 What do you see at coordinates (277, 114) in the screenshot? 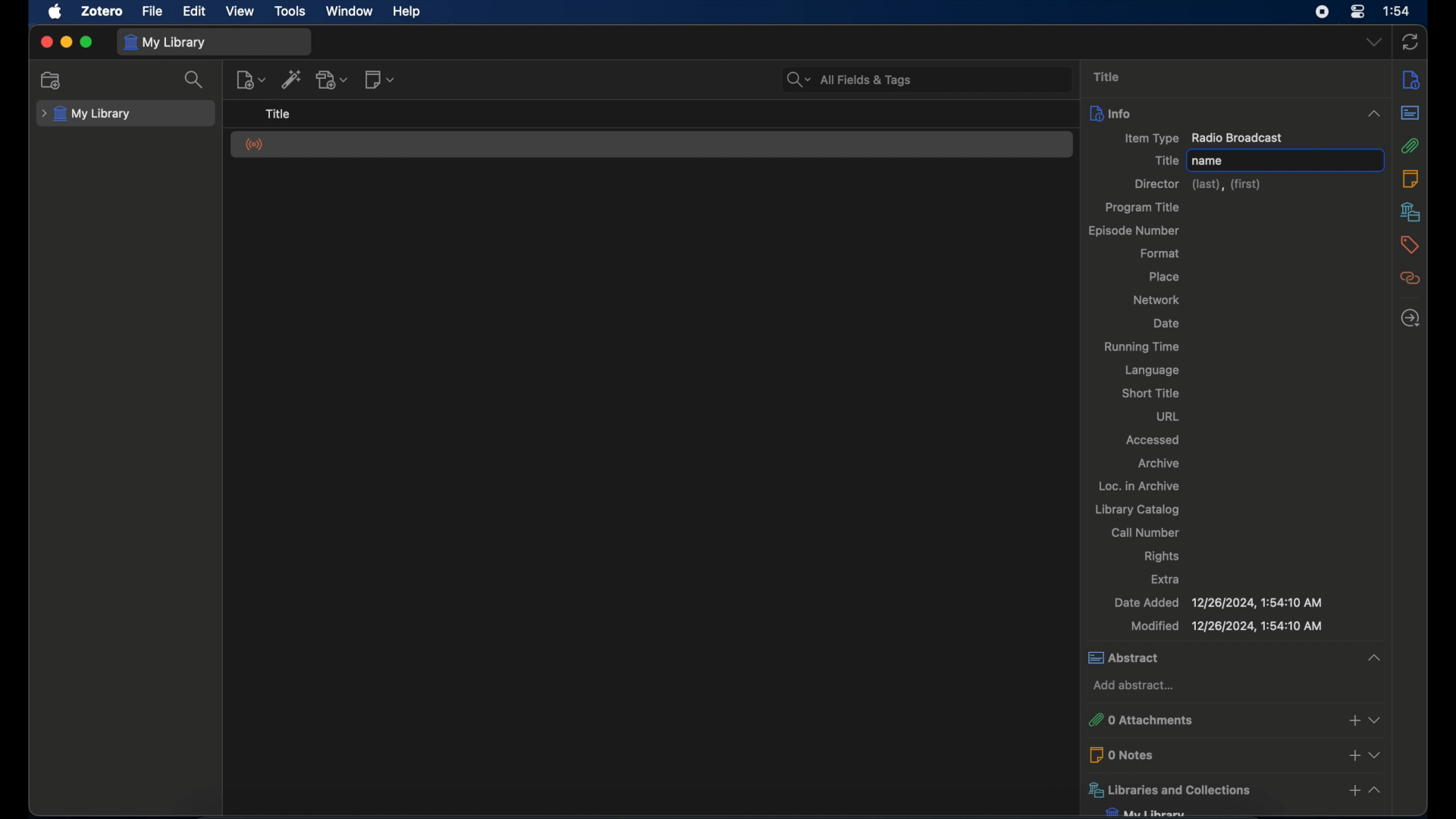
I see `title` at bounding box center [277, 114].